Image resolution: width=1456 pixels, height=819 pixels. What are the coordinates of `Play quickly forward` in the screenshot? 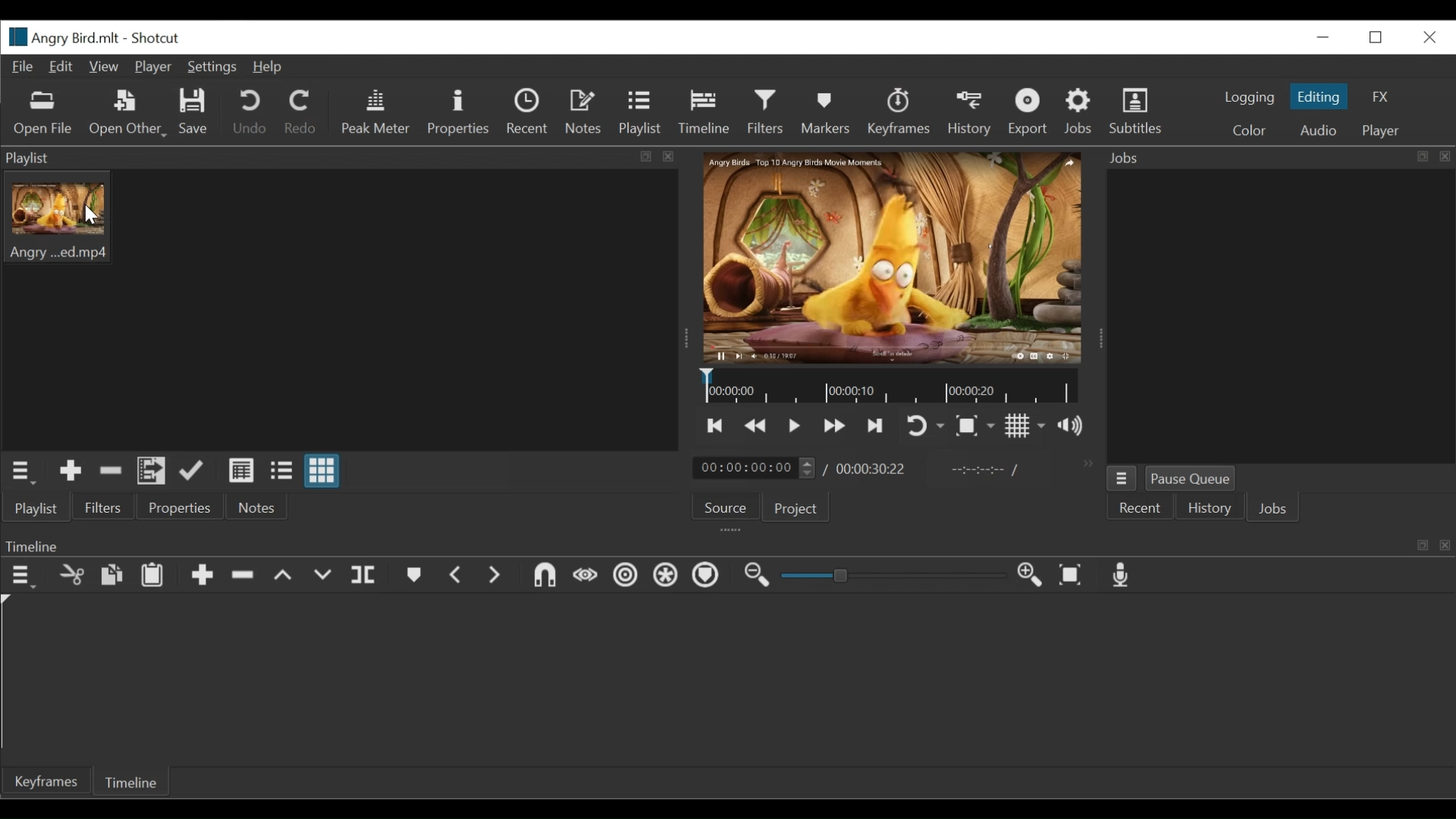 It's located at (756, 425).